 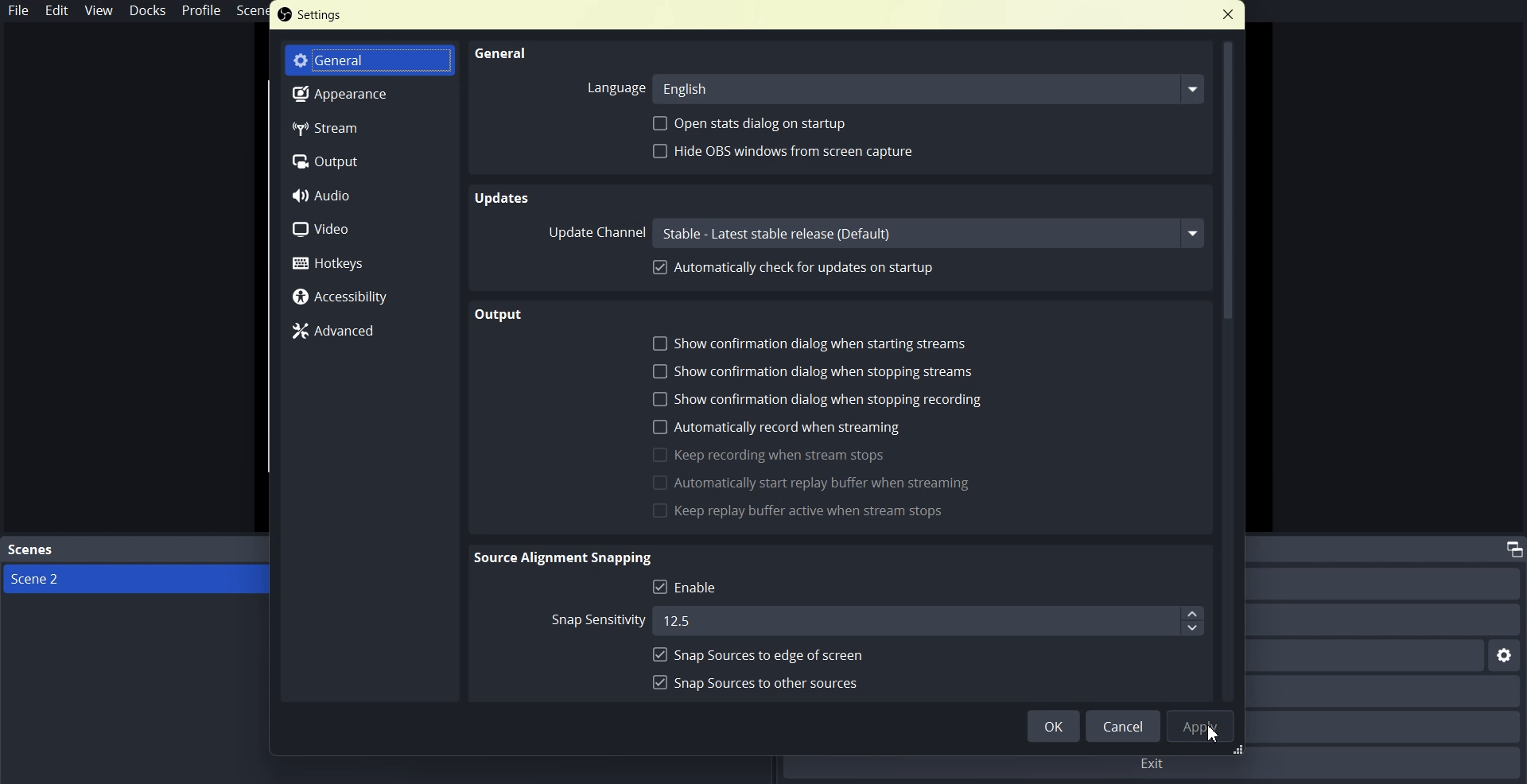 What do you see at coordinates (756, 654) in the screenshot?
I see `Snap sources to age of screen` at bounding box center [756, 654].